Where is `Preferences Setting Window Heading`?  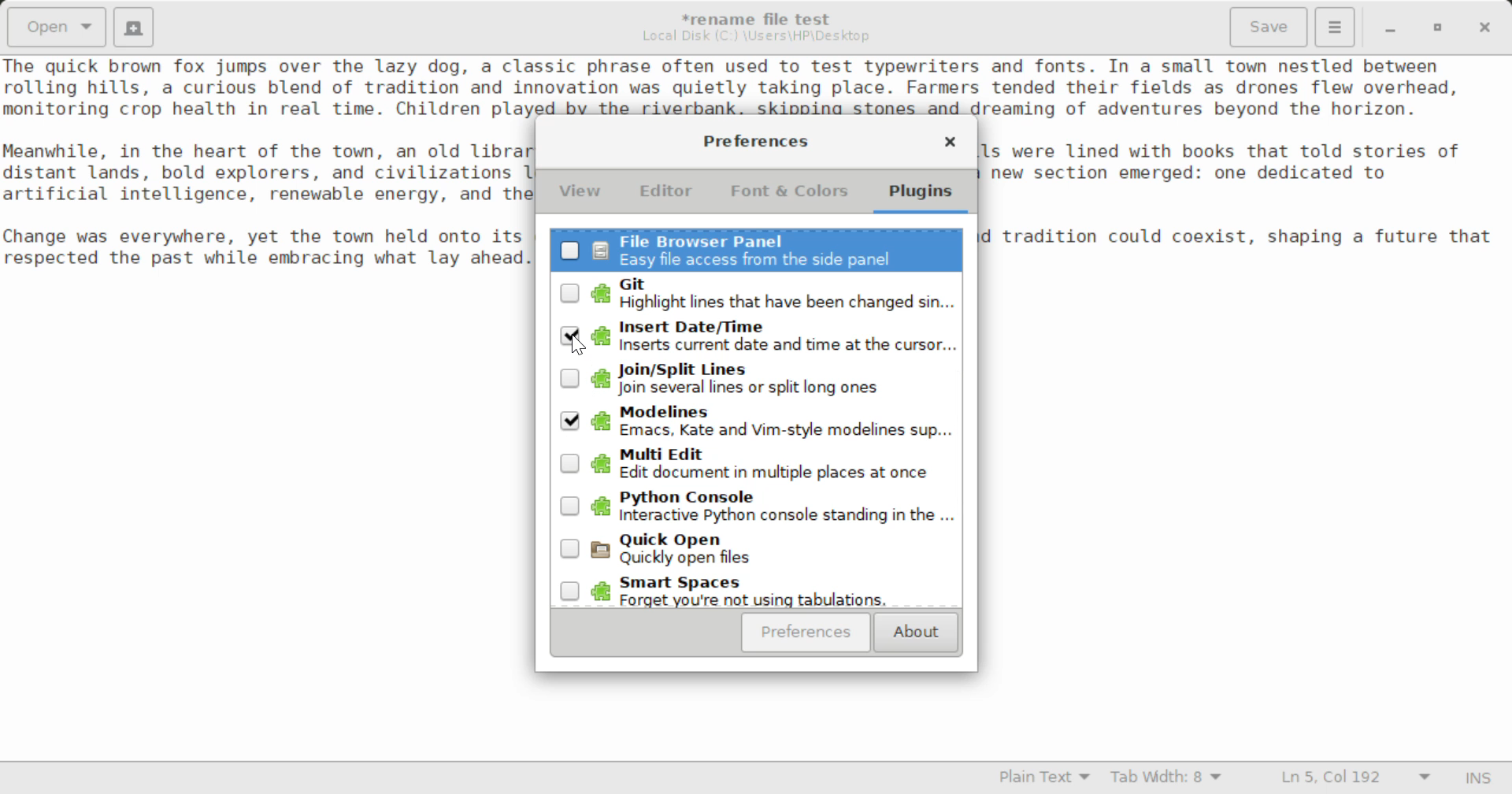 Preferences Setting Window Heading is located at coordinates (755, 141).